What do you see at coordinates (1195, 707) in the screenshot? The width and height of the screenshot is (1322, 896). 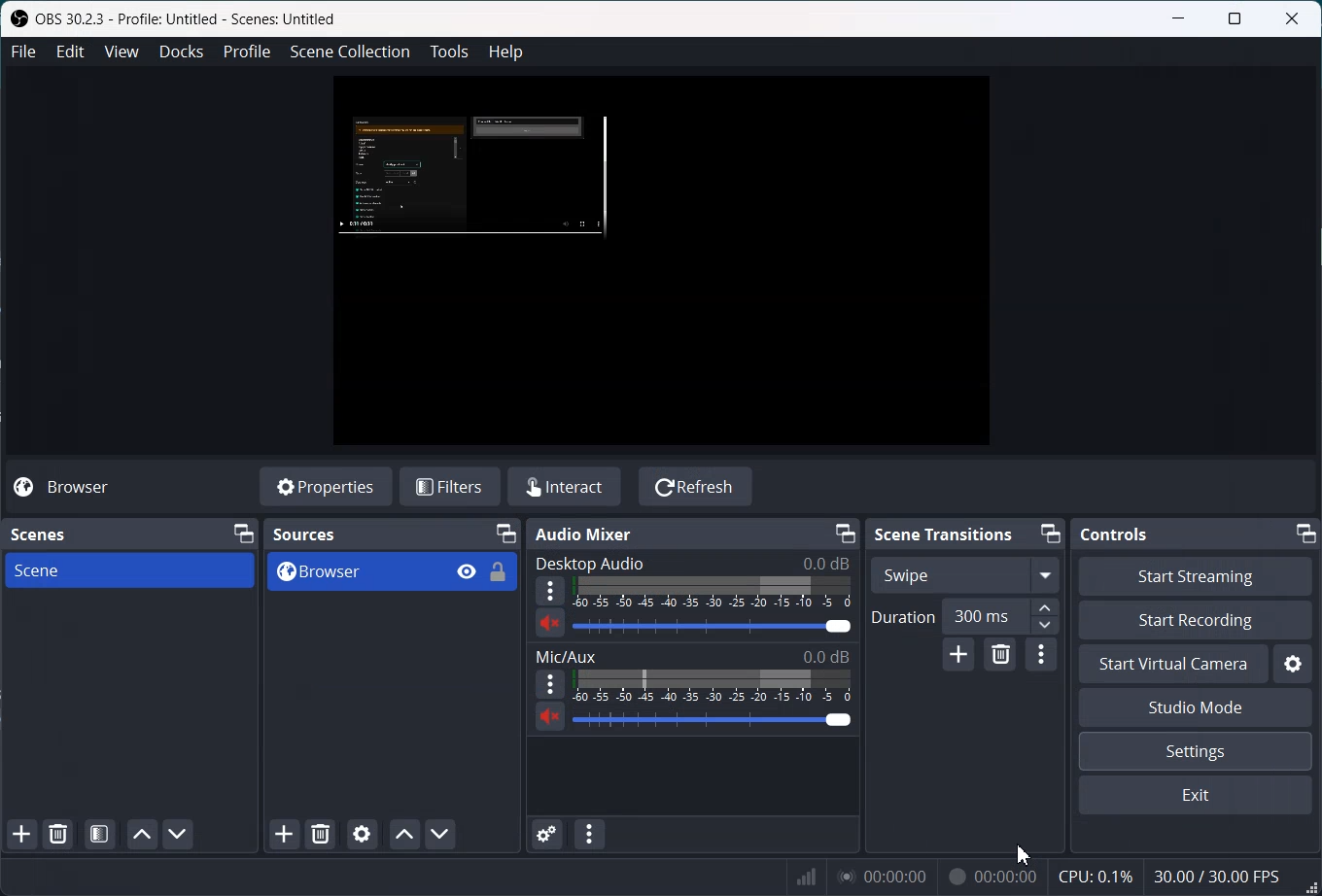 I see `Studio Mode` at bounding box center [1195, 707].